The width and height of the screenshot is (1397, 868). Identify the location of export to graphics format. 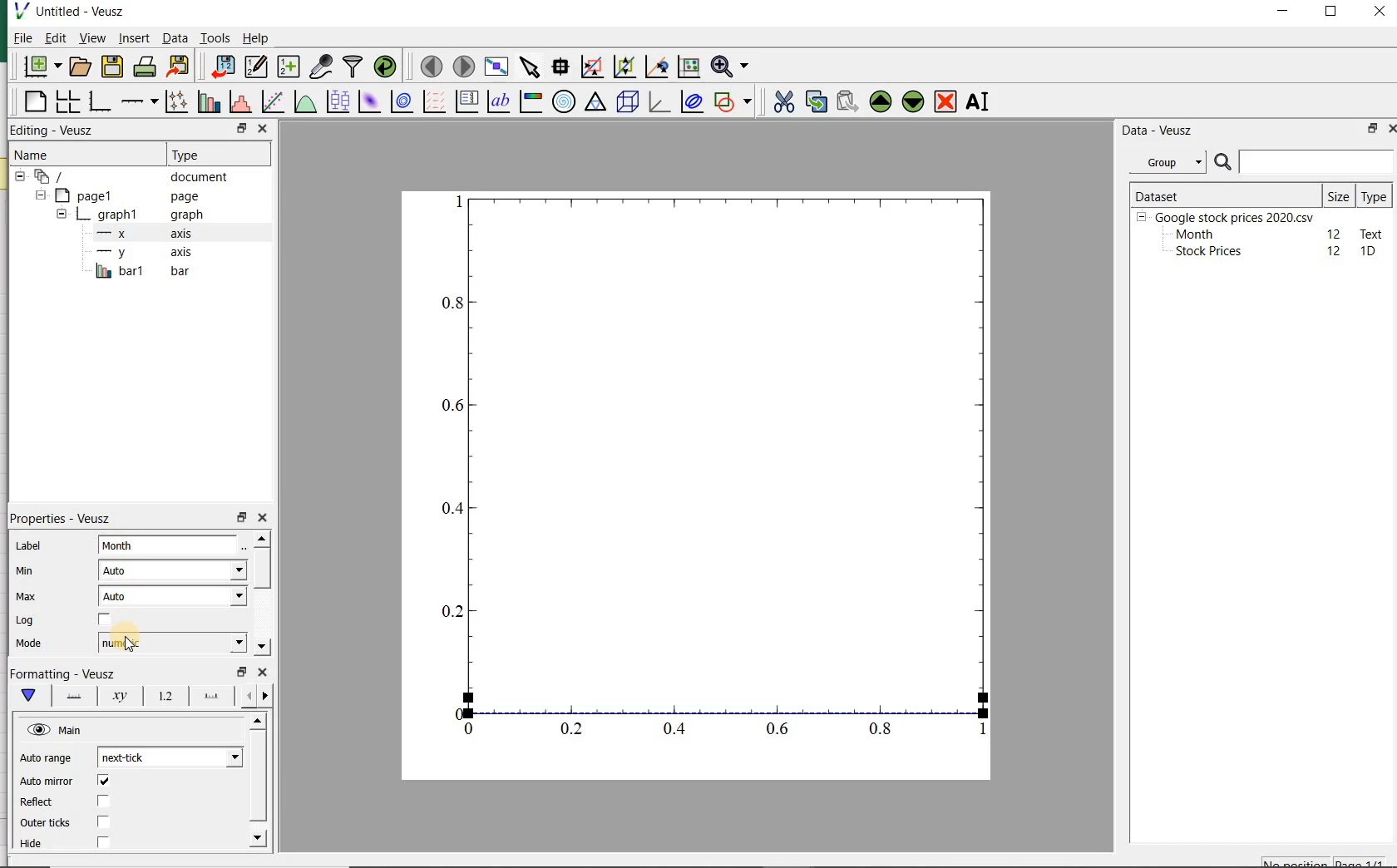
(179, 67).